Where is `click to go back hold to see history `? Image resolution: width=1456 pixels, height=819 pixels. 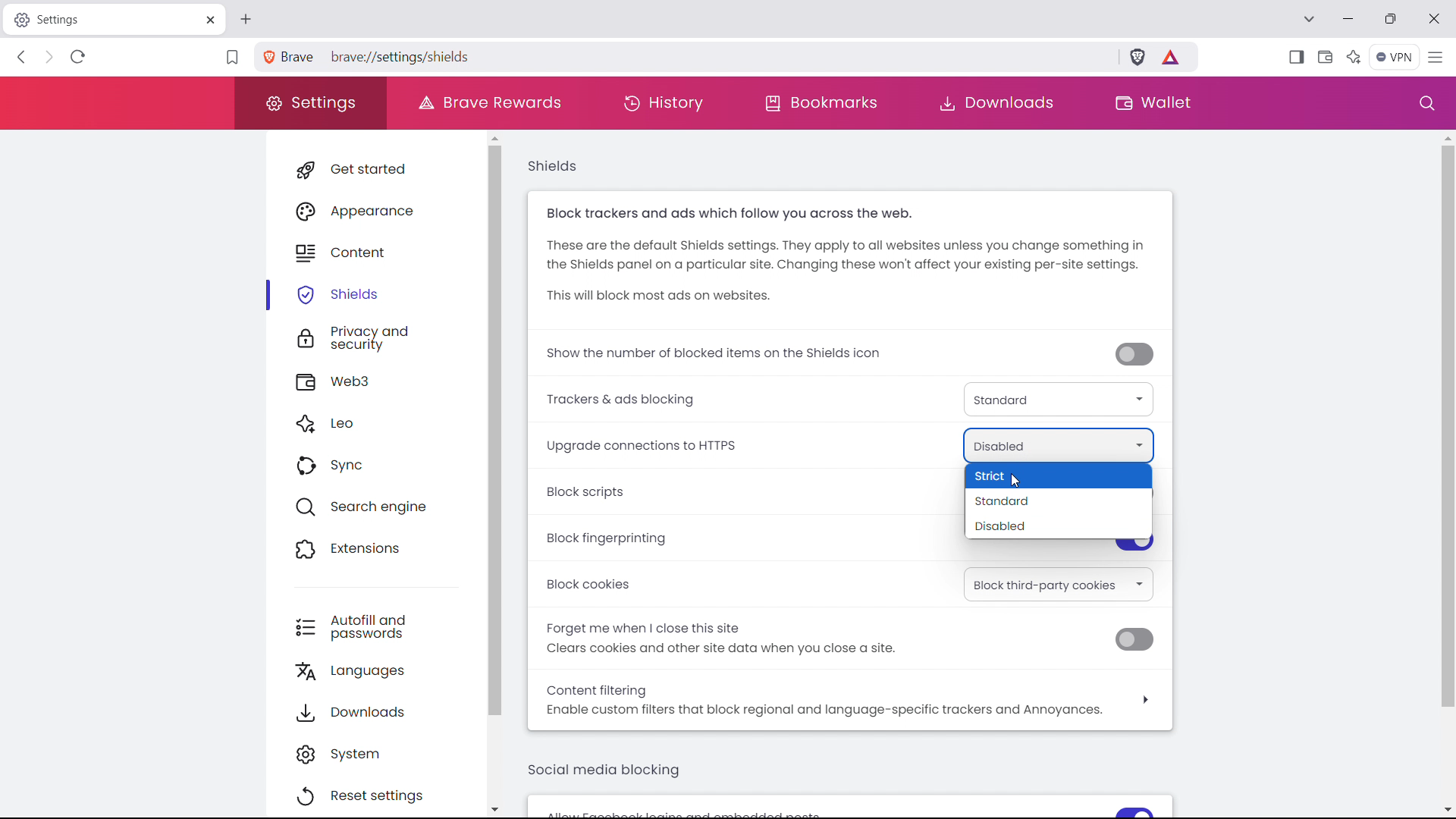 click to go back hold to see history  is located at coordinates (22, 56).